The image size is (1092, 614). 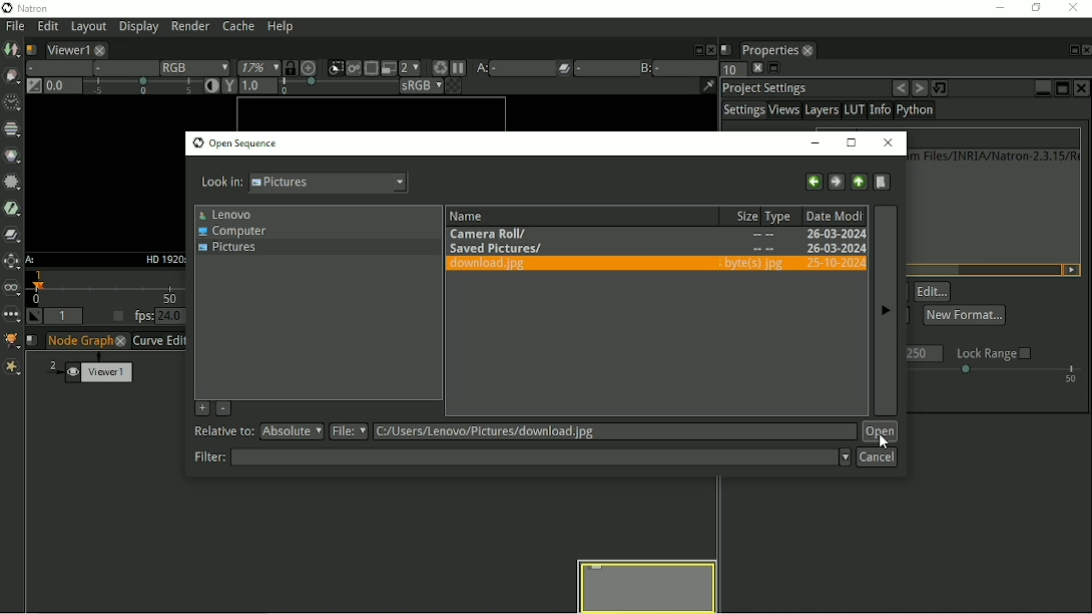 I want to click on Minimize, so click(x=819, y=142).